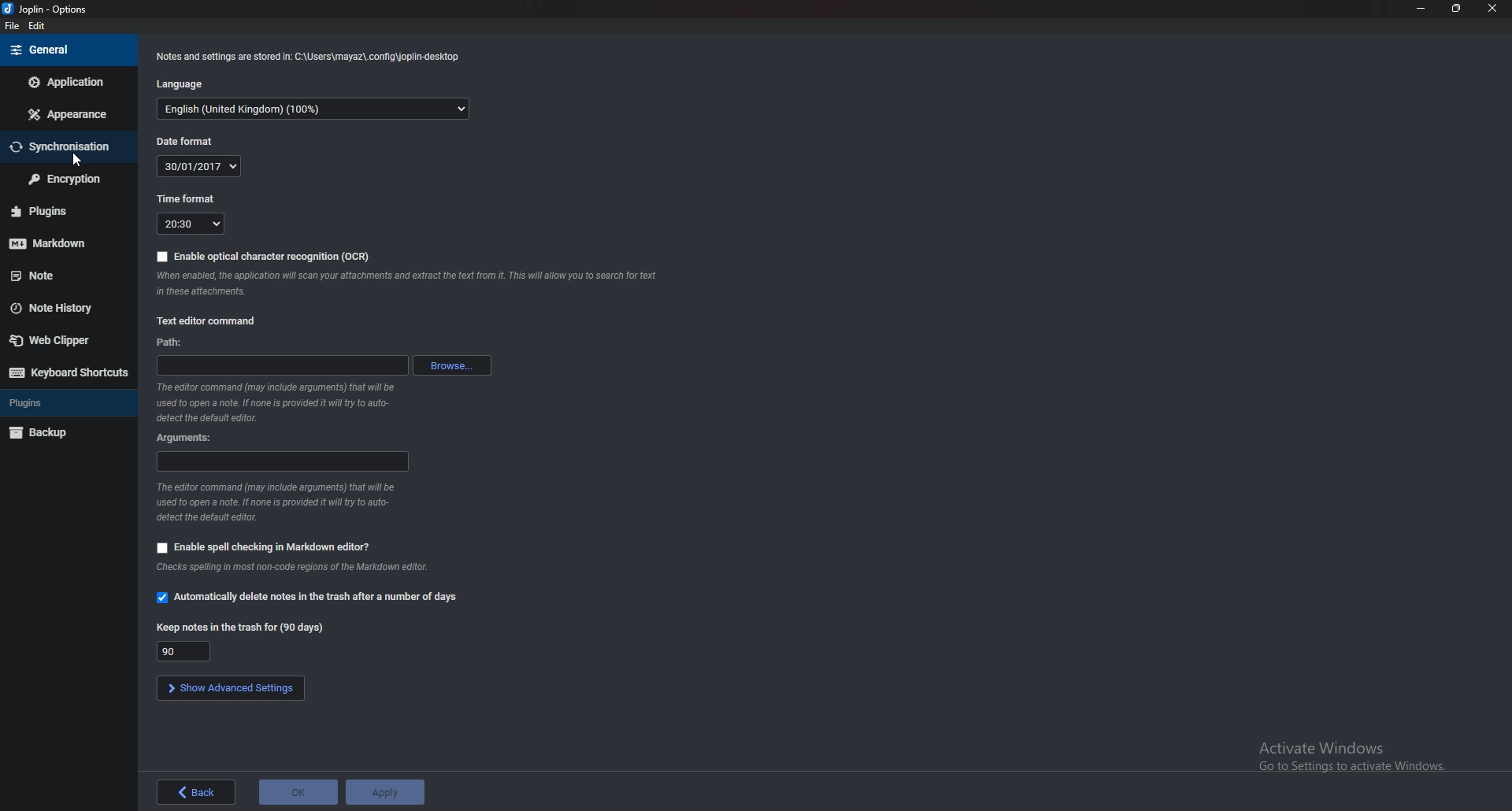 This screenshot has height=811, width=1512. Describe the element at coordinates (453, 365) in the screenshot. I see `browse` at that location.